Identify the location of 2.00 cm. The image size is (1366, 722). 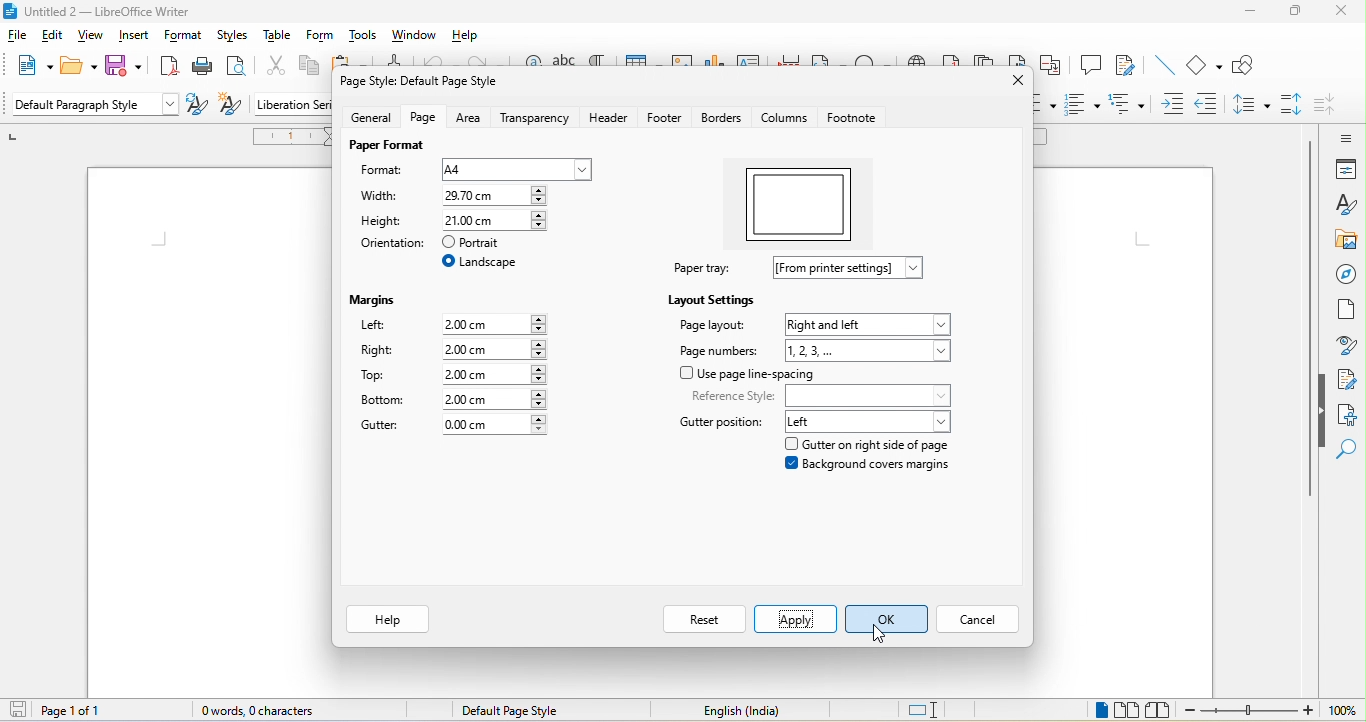
(496, 324).